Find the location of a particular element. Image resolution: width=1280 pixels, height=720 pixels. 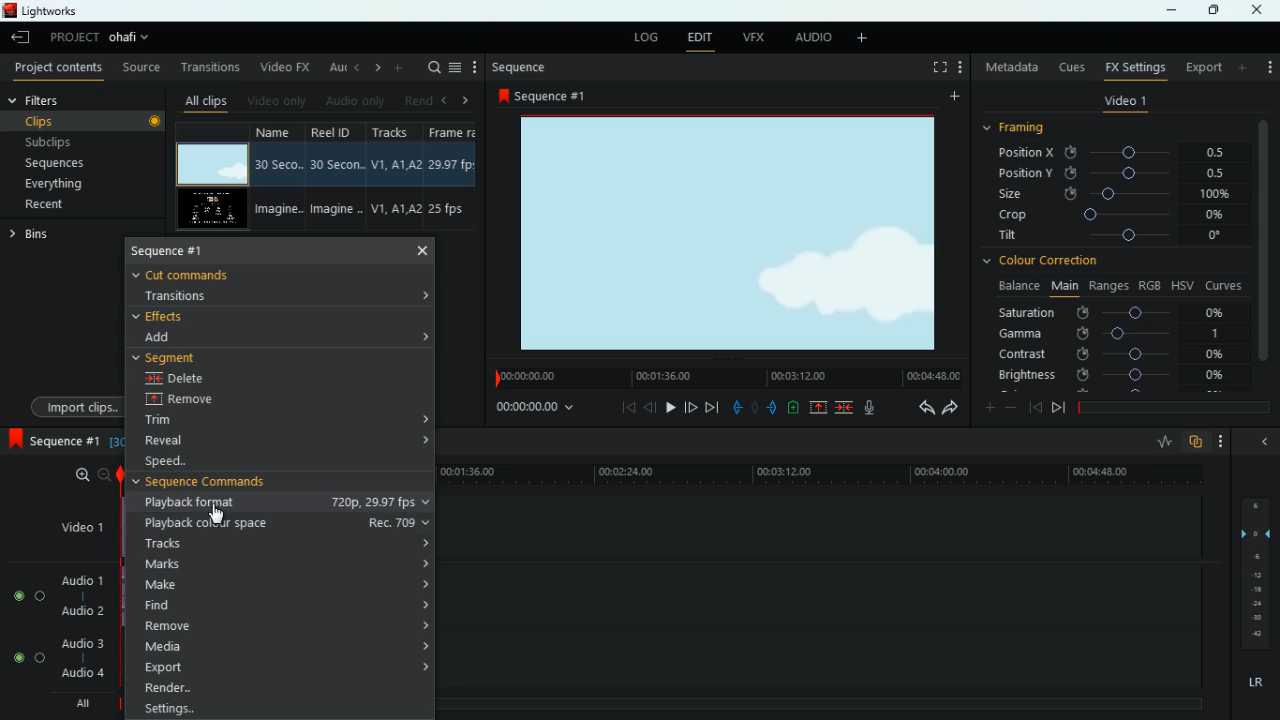

expand is located at coordinates (424, 336).